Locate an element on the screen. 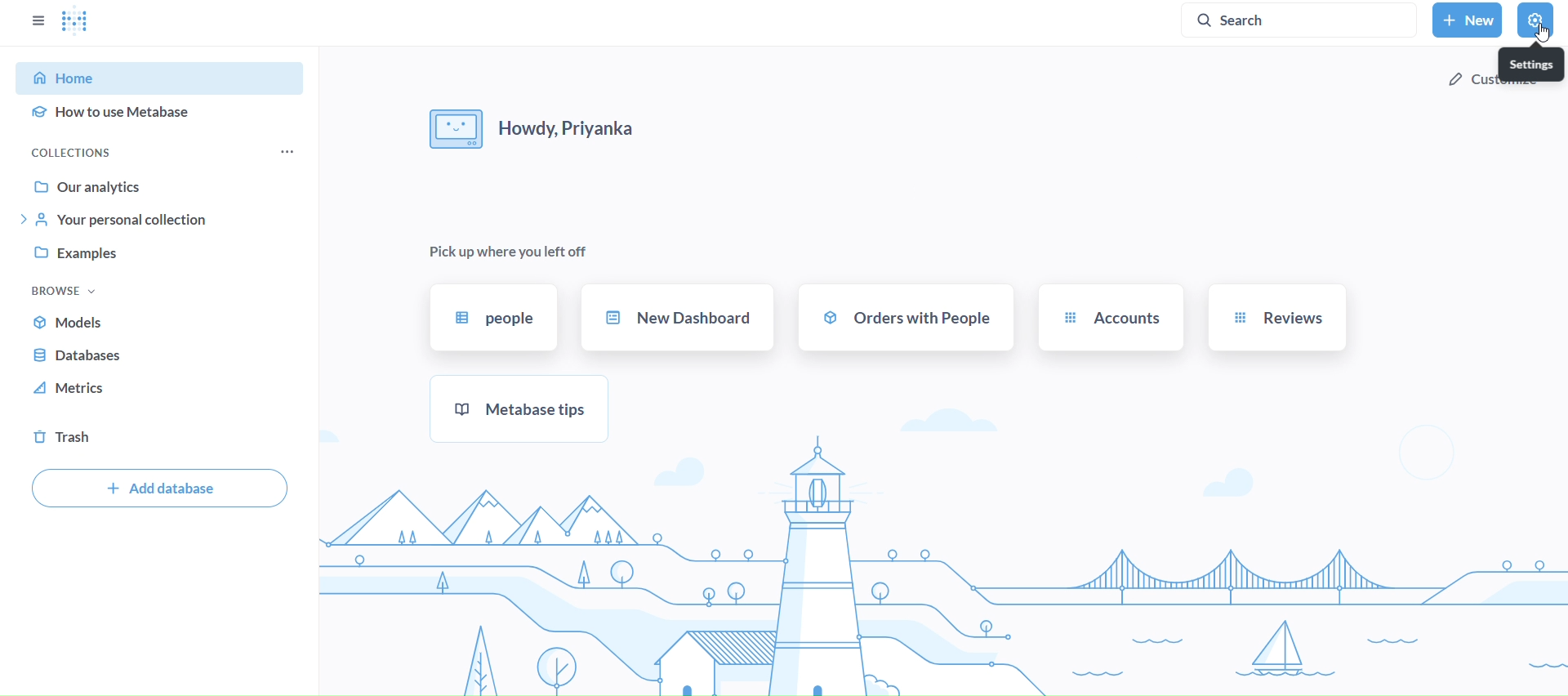 The image size is (1568, 696). new is located at coordinates (1467, 20).